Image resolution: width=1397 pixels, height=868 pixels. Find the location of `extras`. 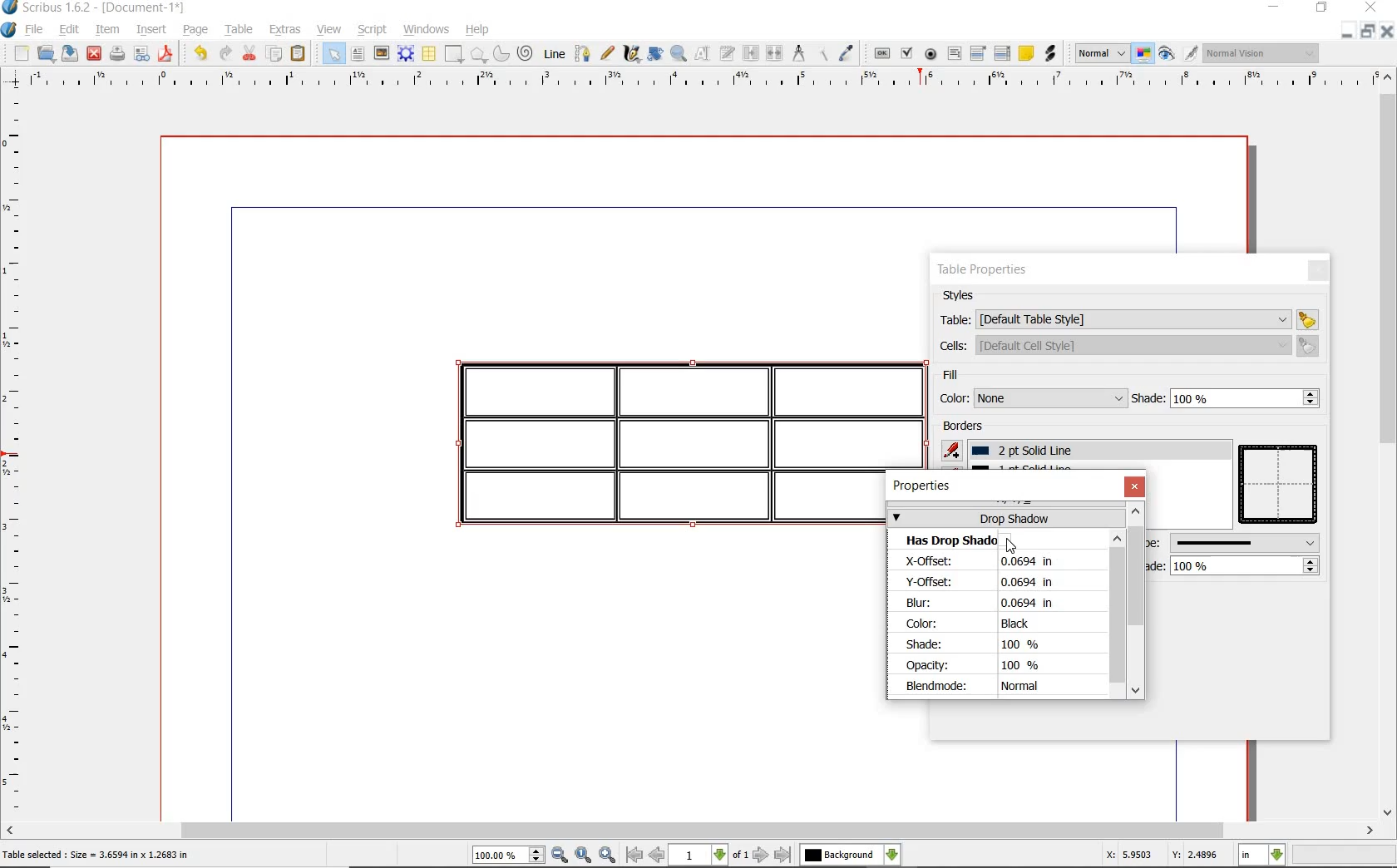

extras is located at coordinates (286, 31).